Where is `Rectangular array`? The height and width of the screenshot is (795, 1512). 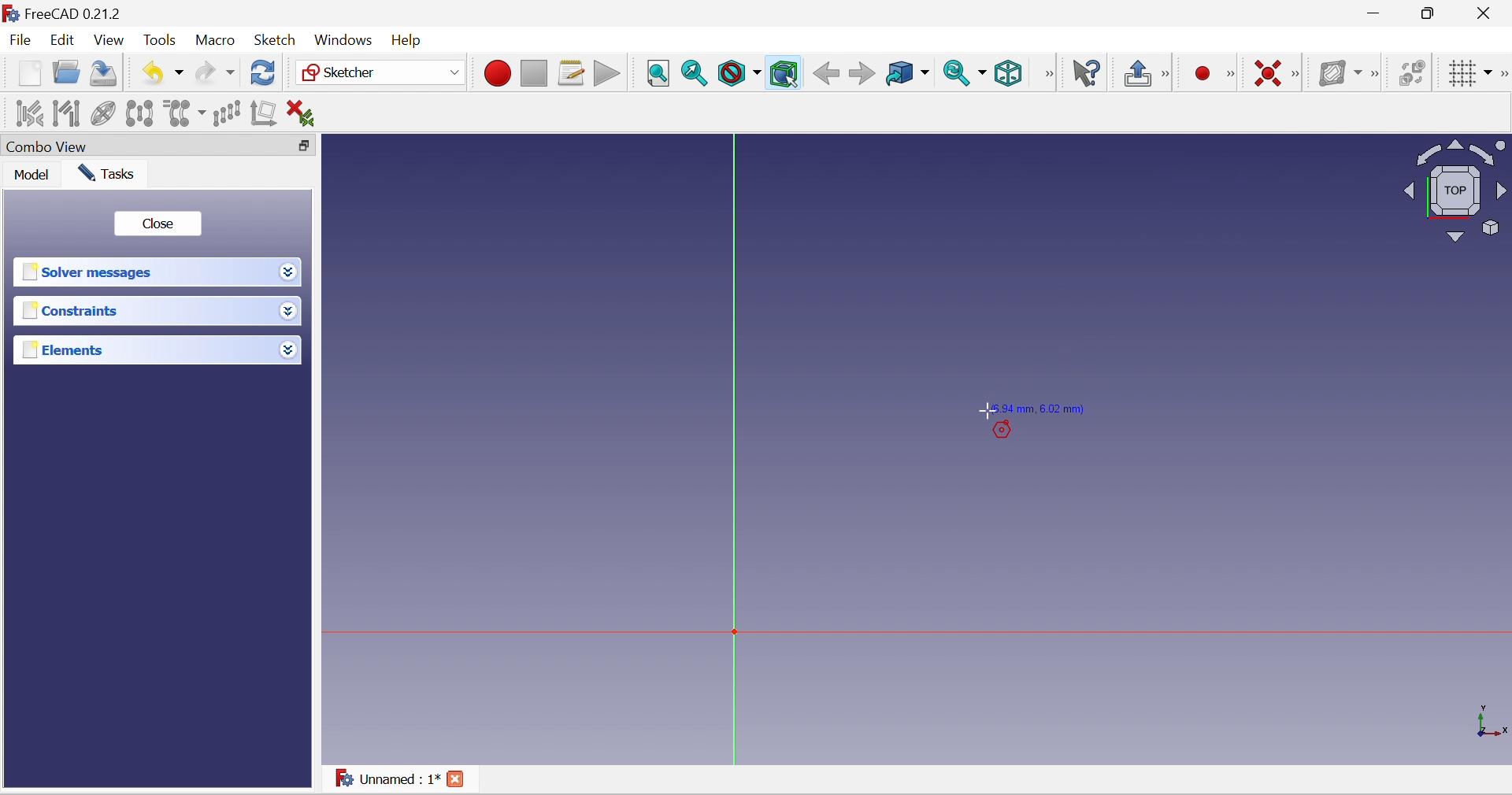 Rectangular array is located at coordinates (228, 113).